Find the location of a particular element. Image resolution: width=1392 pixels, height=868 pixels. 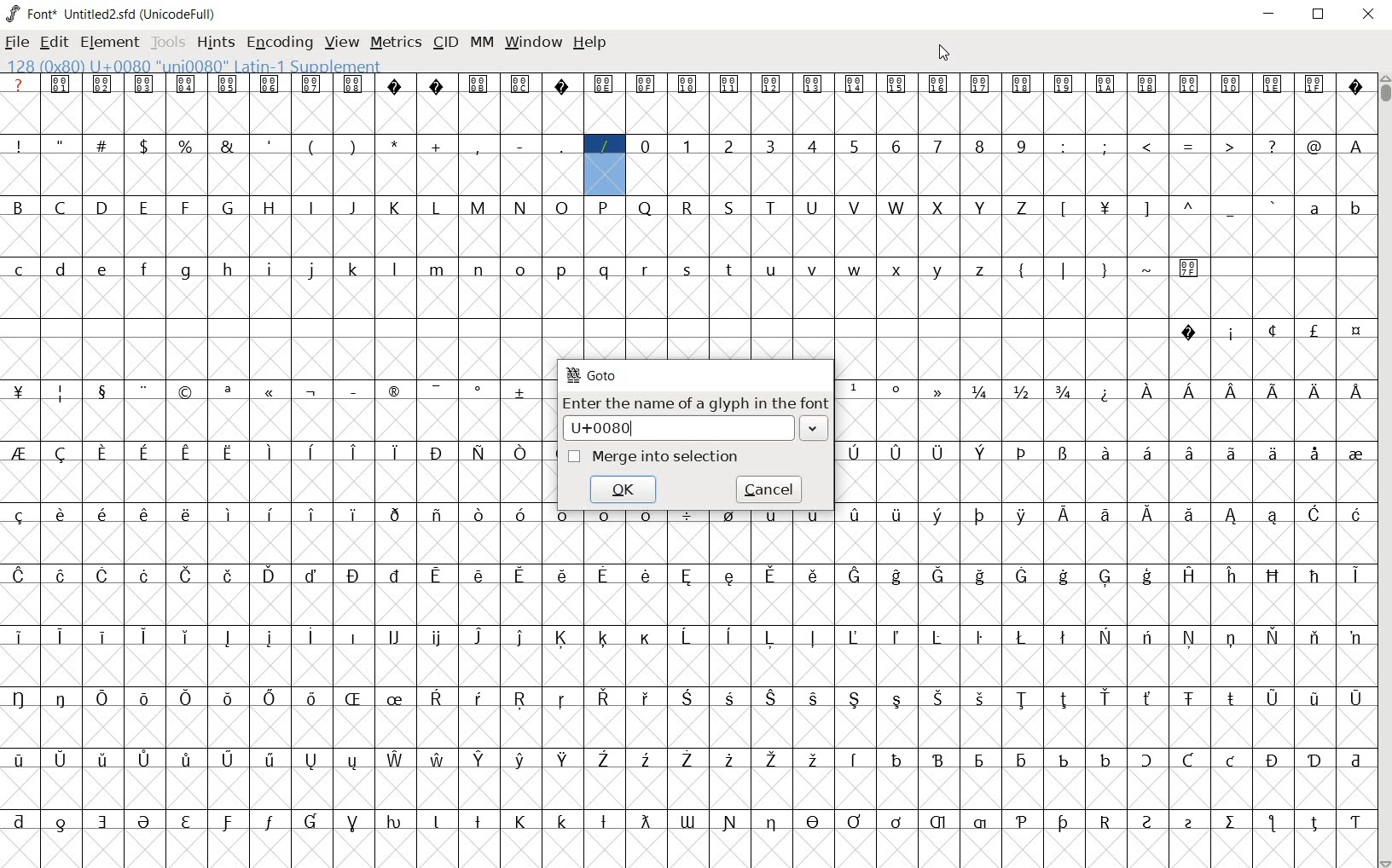

glyph is located at coordinates (478, 821).